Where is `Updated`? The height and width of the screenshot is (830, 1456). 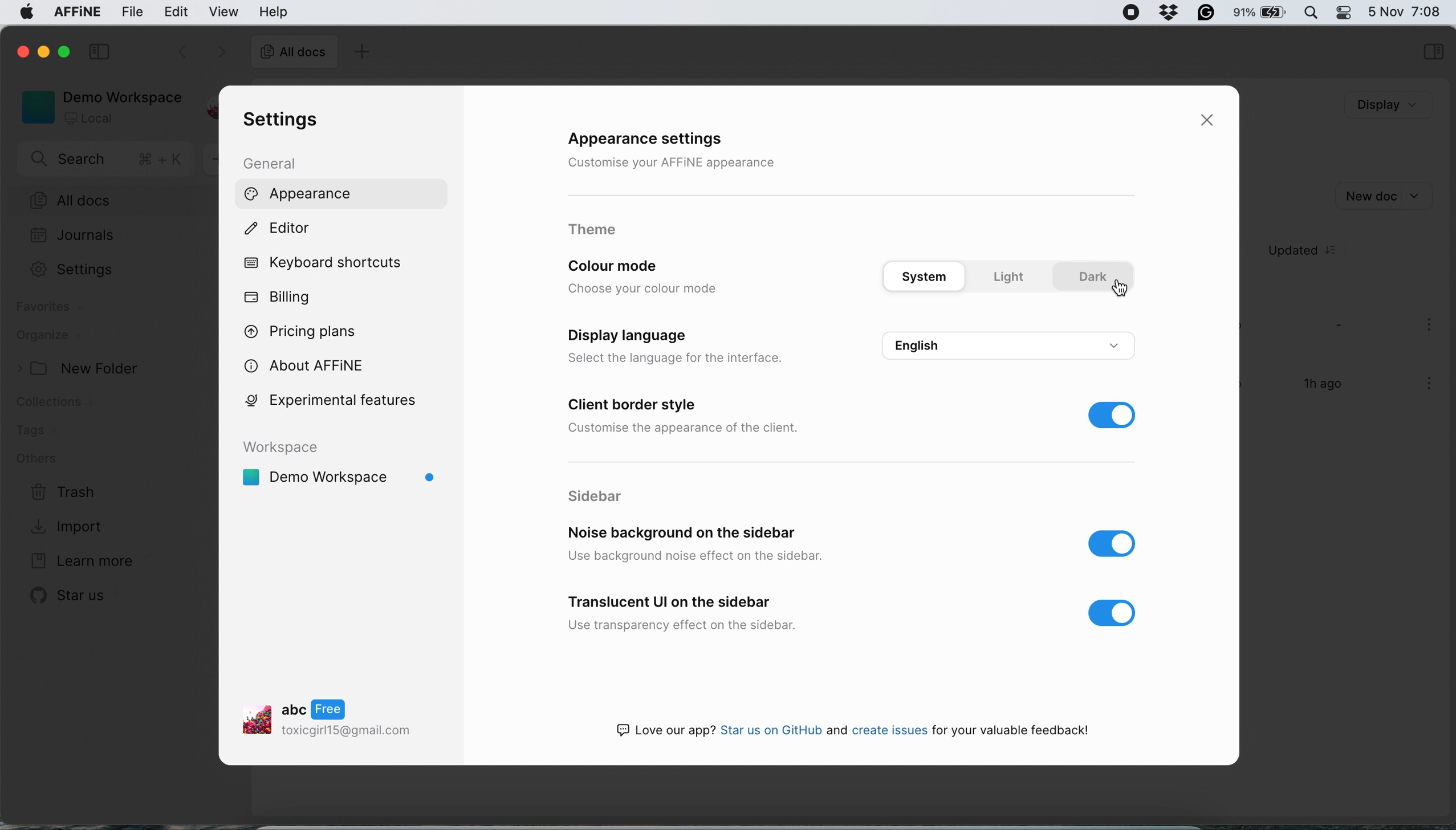
Updated is located at coordinates (1299, 250).